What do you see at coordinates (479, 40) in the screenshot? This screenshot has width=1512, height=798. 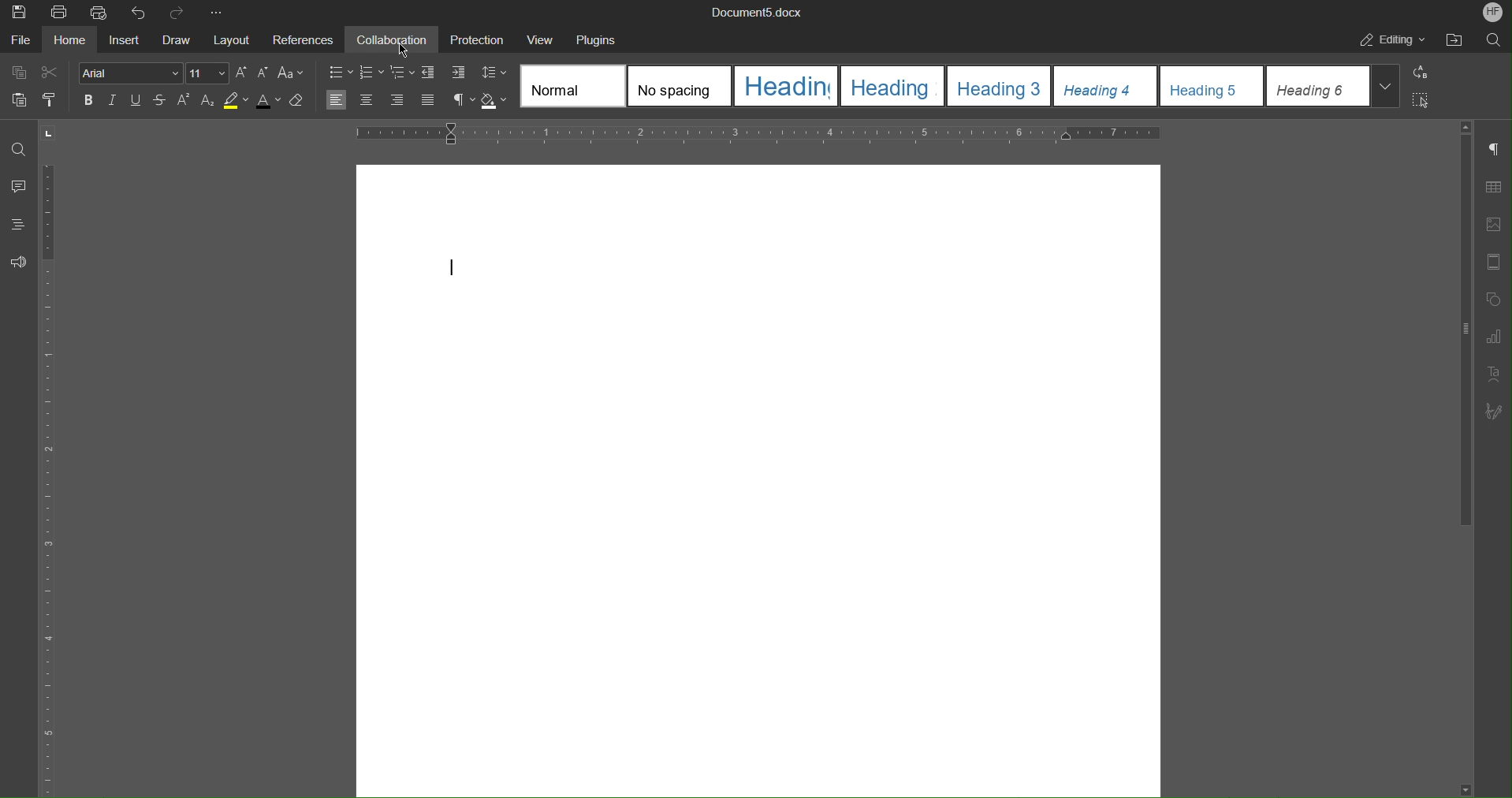 I see `Protection` at bounding box center [479, 40].